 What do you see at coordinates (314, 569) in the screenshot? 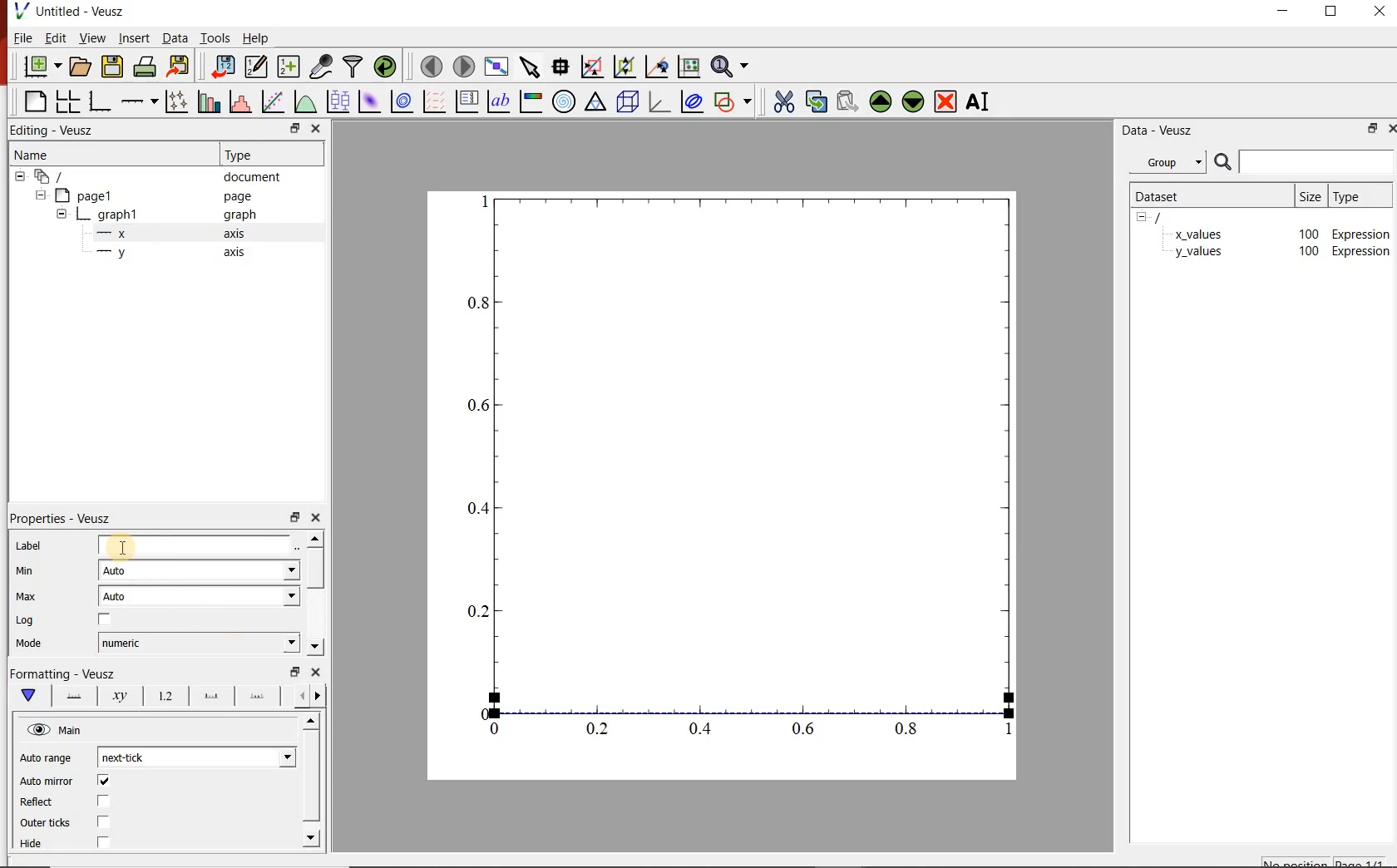
I see `vertical scrollbar` at bounding box center [314, 569].